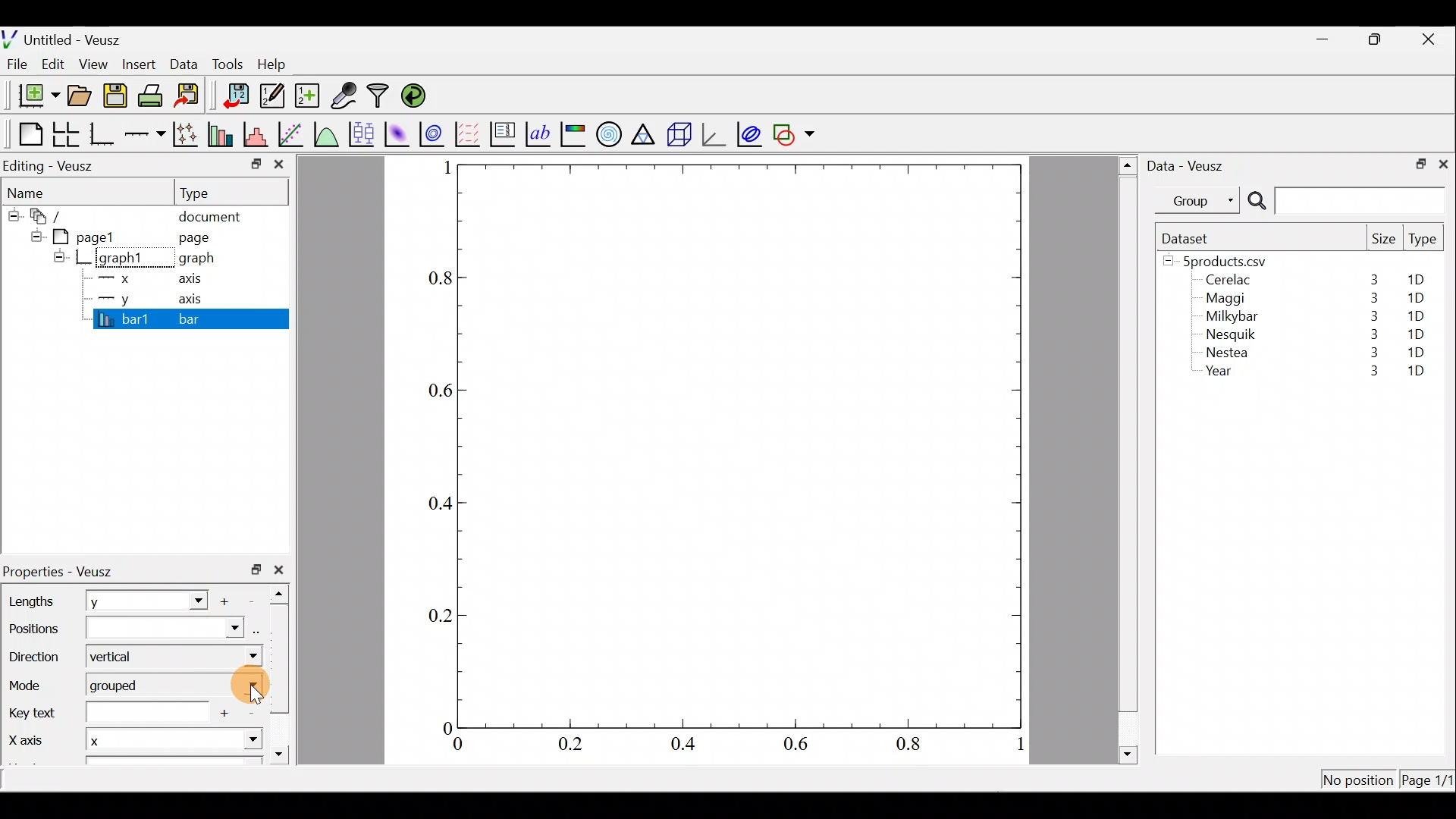 This screenshot has height=819, width=1456. I want to click on Remove item, so click(256, 600).